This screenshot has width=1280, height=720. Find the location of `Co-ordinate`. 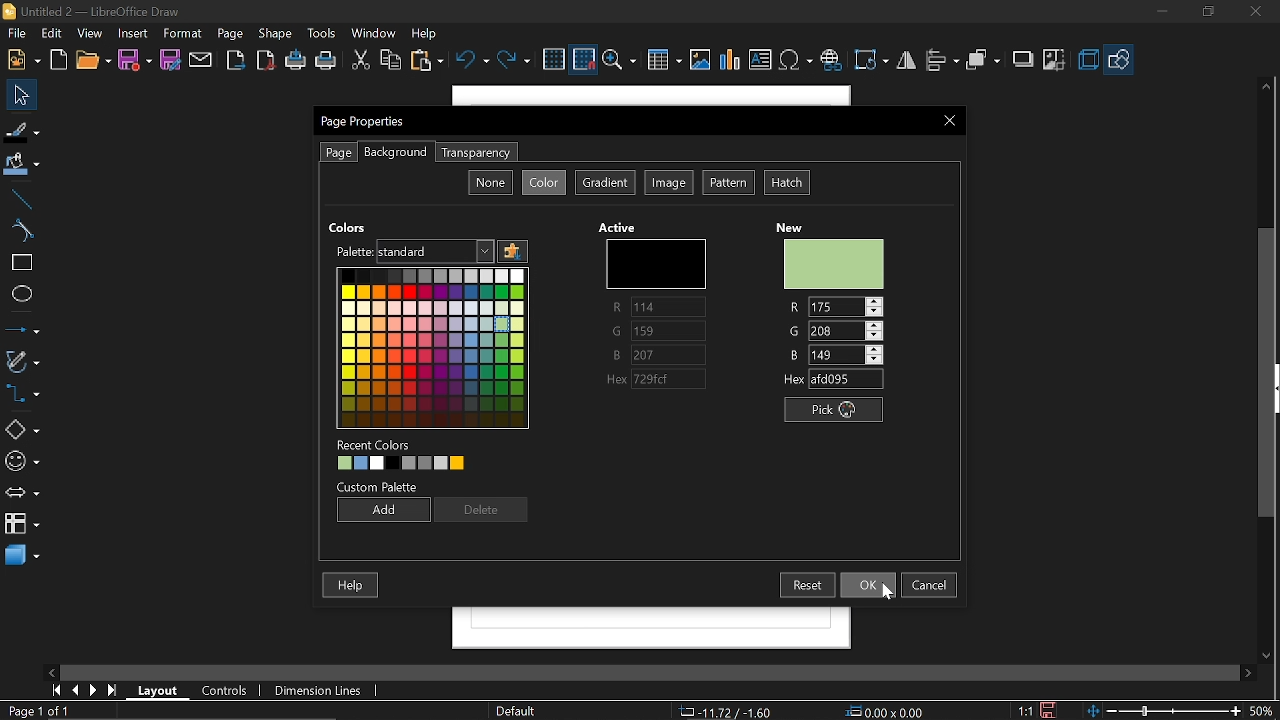

Co-ordinate is located at coordinates (725, 711).